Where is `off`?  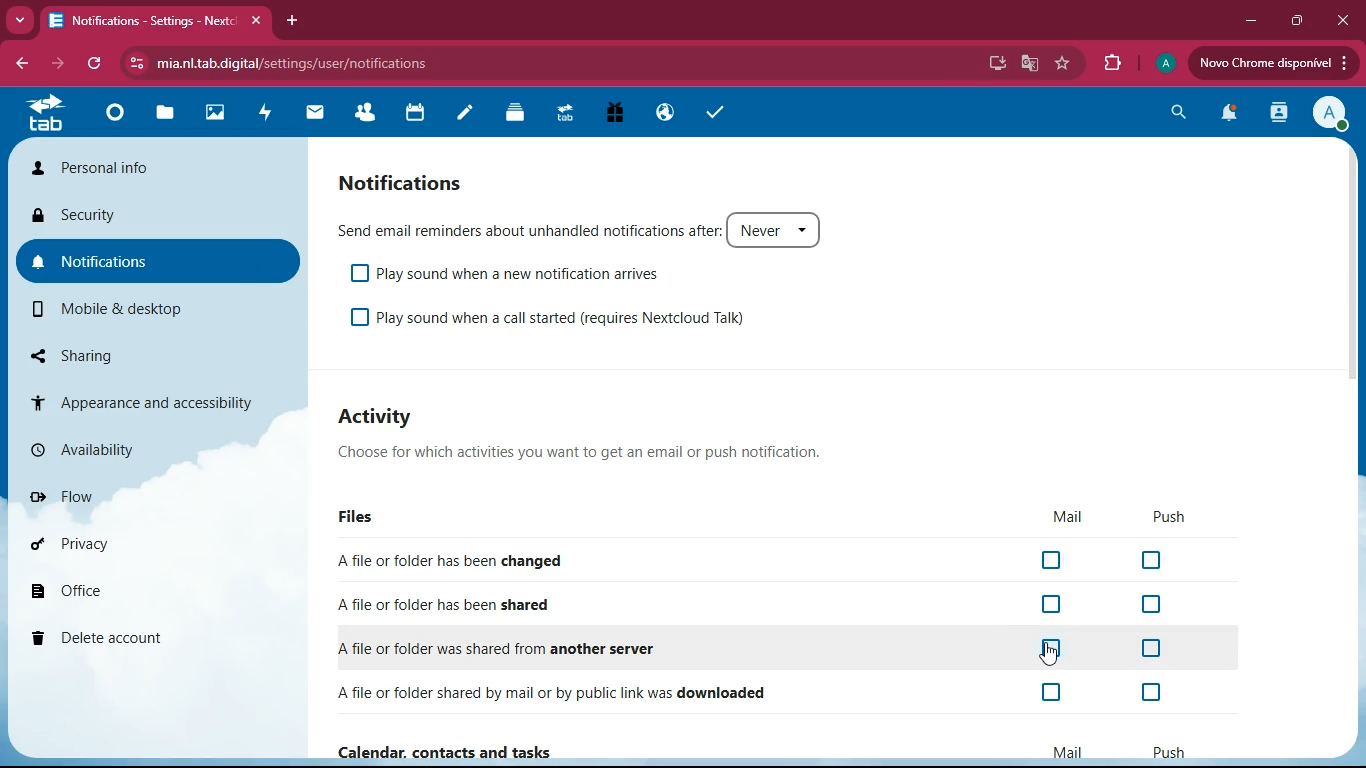 off is located at coordinates (1052, 561).